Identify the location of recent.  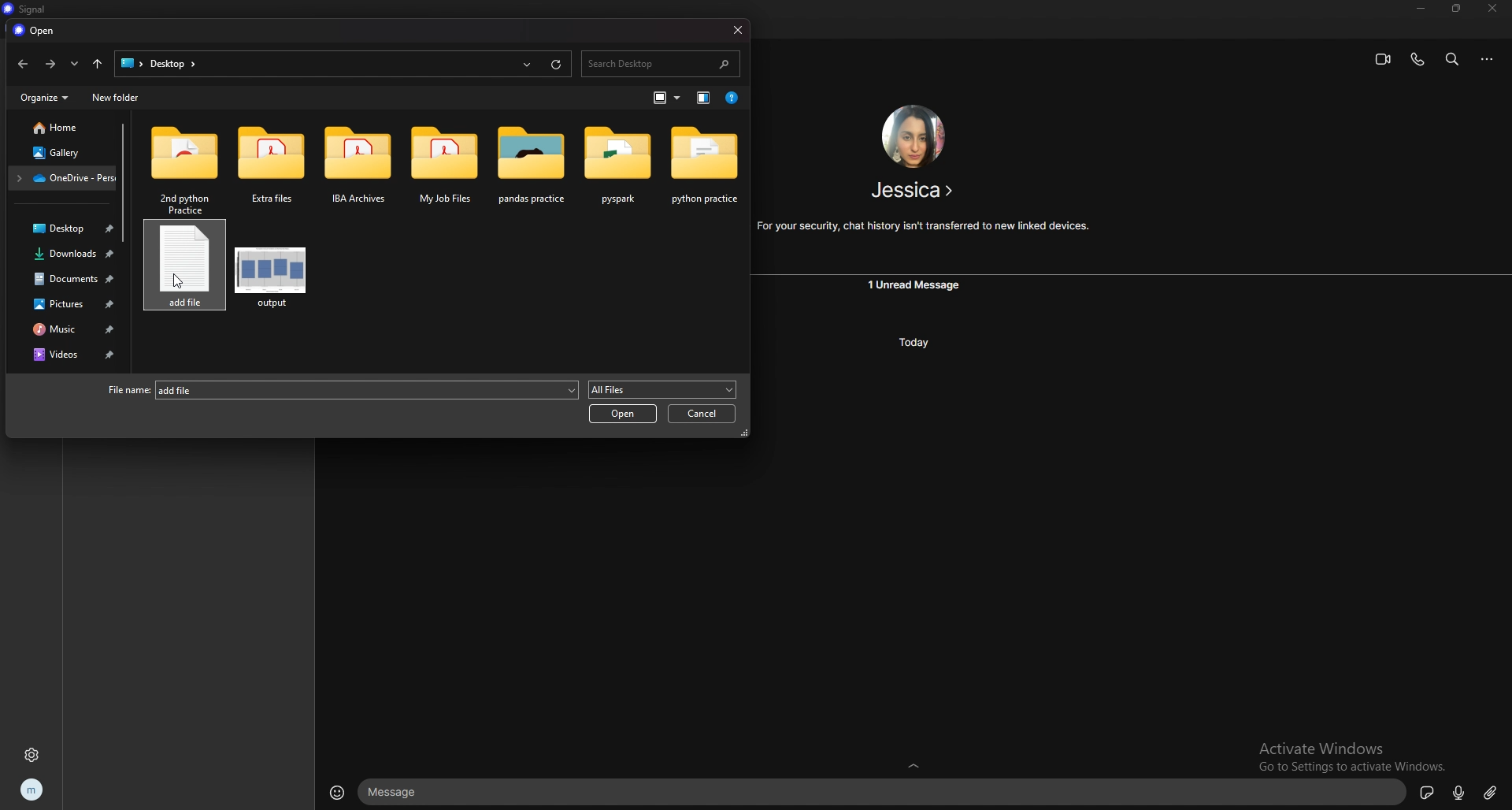
(527, 65).